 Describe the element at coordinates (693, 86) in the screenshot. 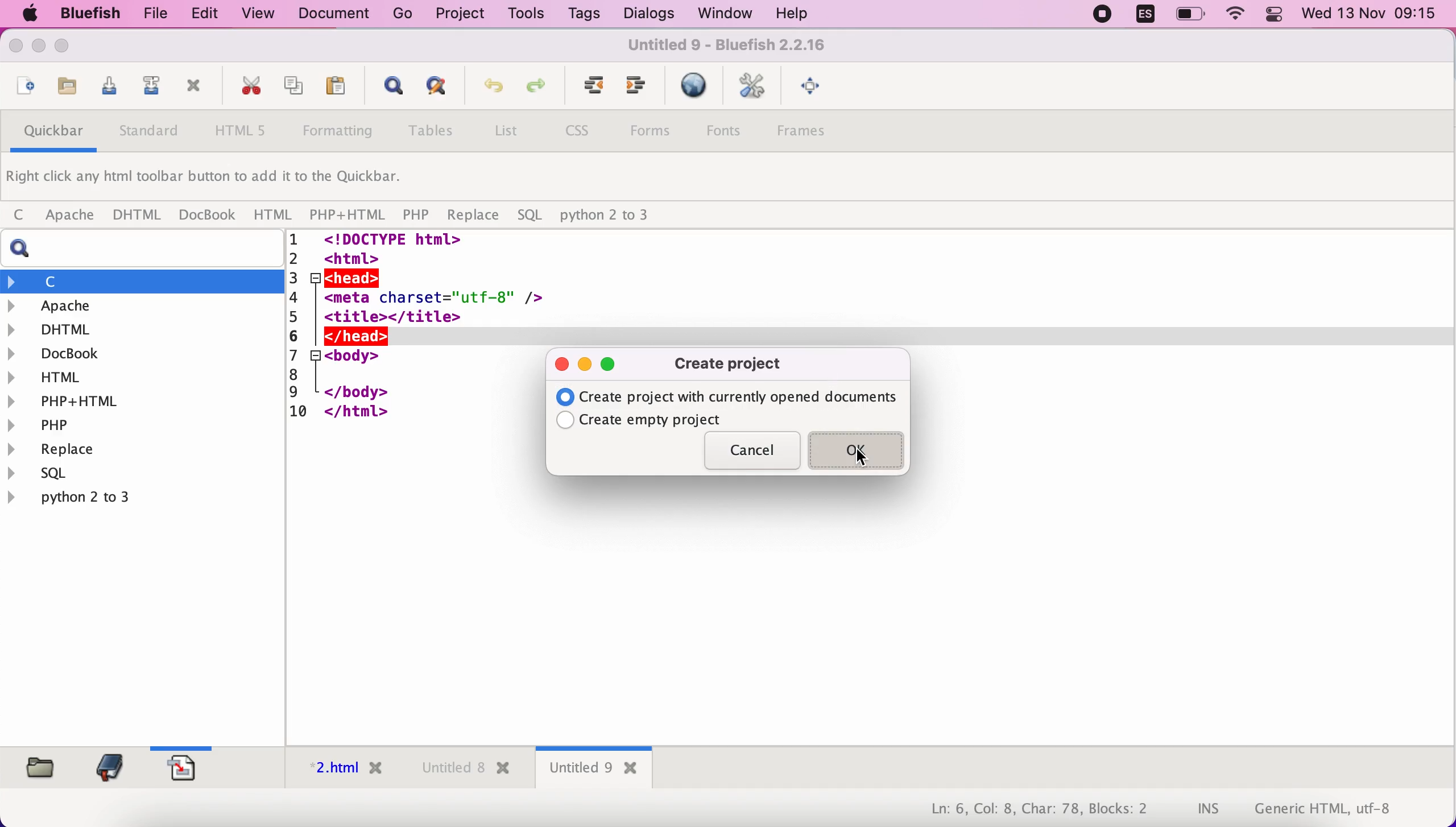

I see `preview in browser` at that location.